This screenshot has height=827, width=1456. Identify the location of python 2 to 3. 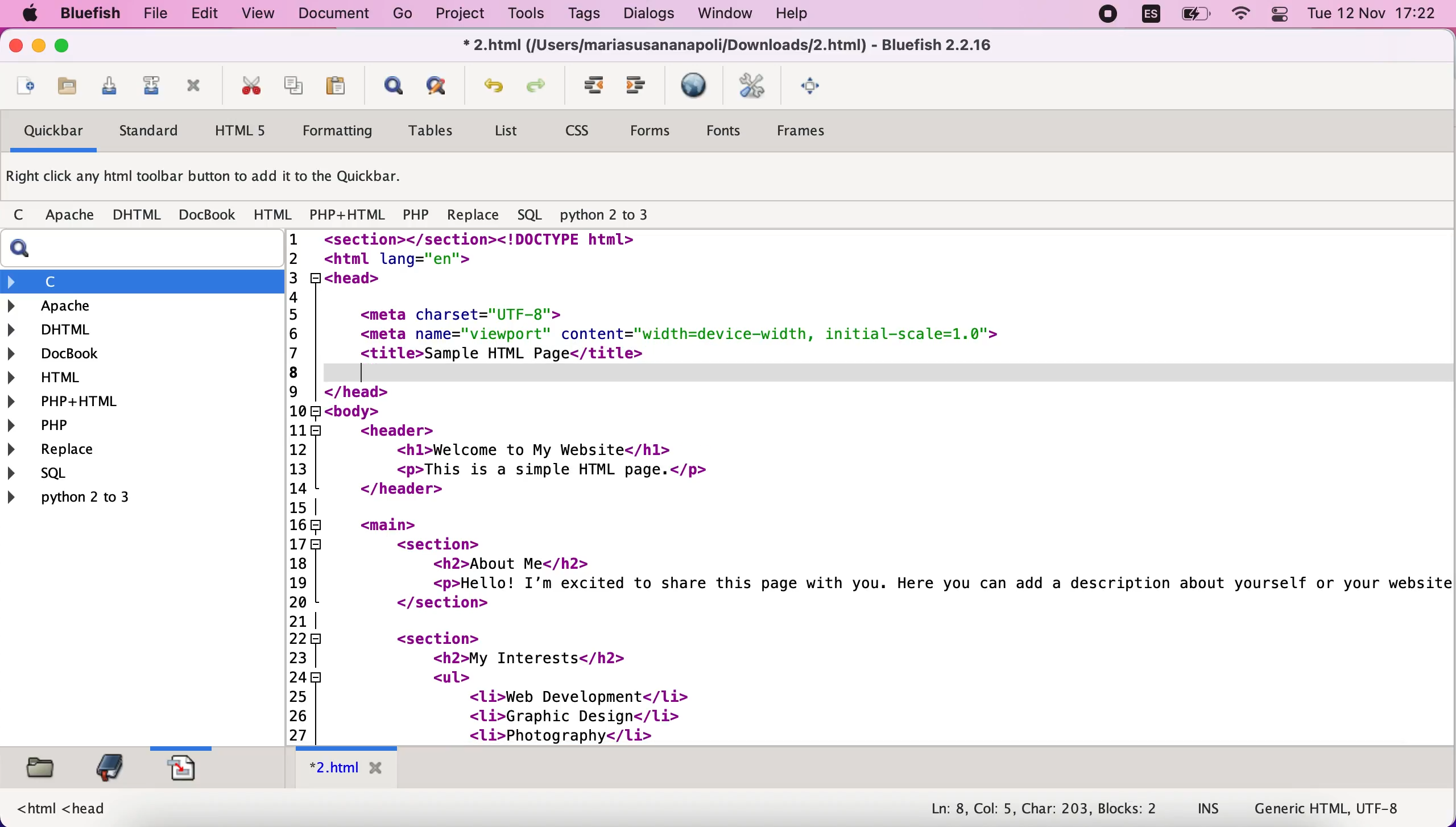
(611, 212).